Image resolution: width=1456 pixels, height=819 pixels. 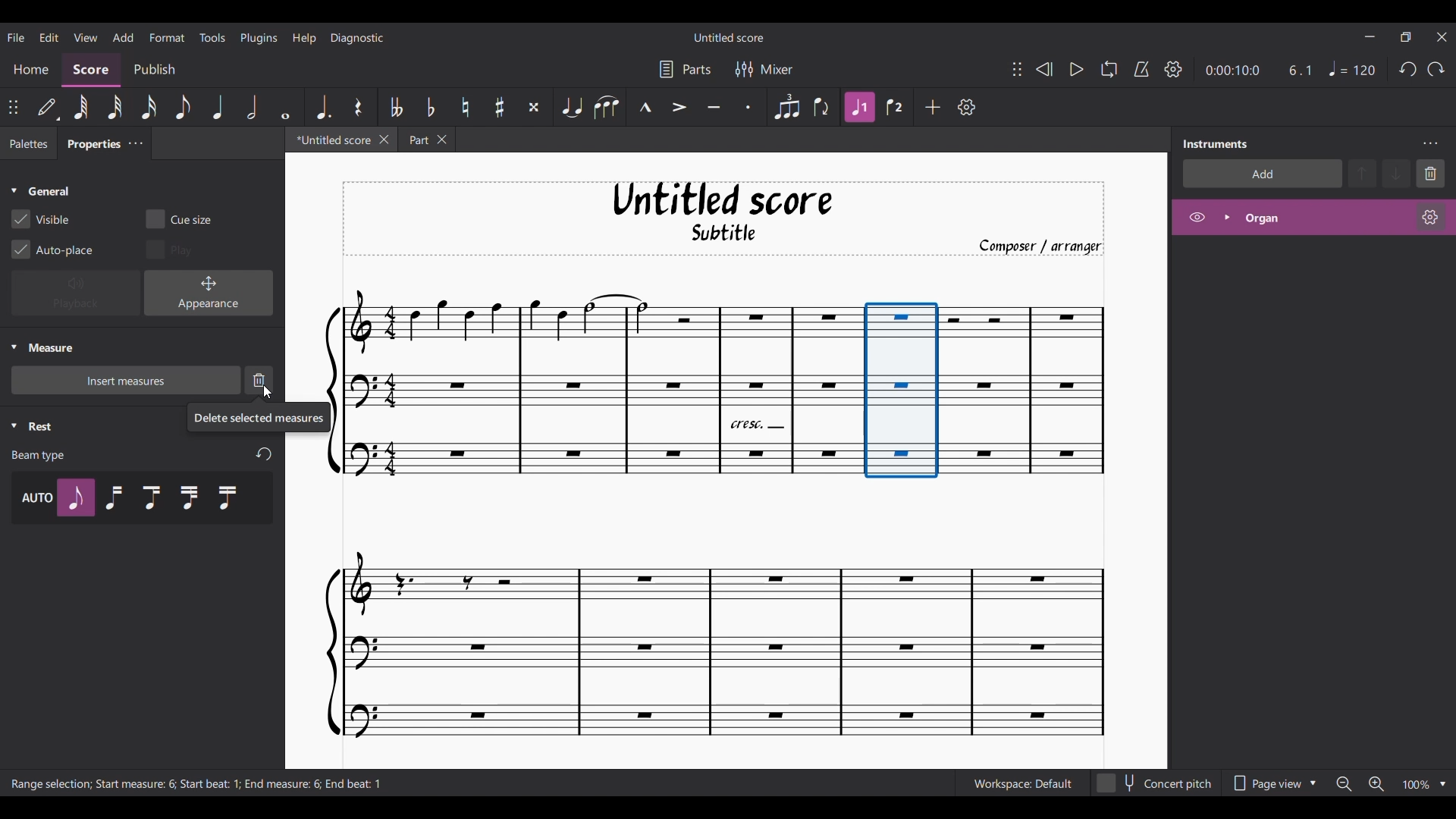 What do you see at coordinates (429, 106) in the screenshot?
I see `Toggle flat` at bounding box center [429, 106].